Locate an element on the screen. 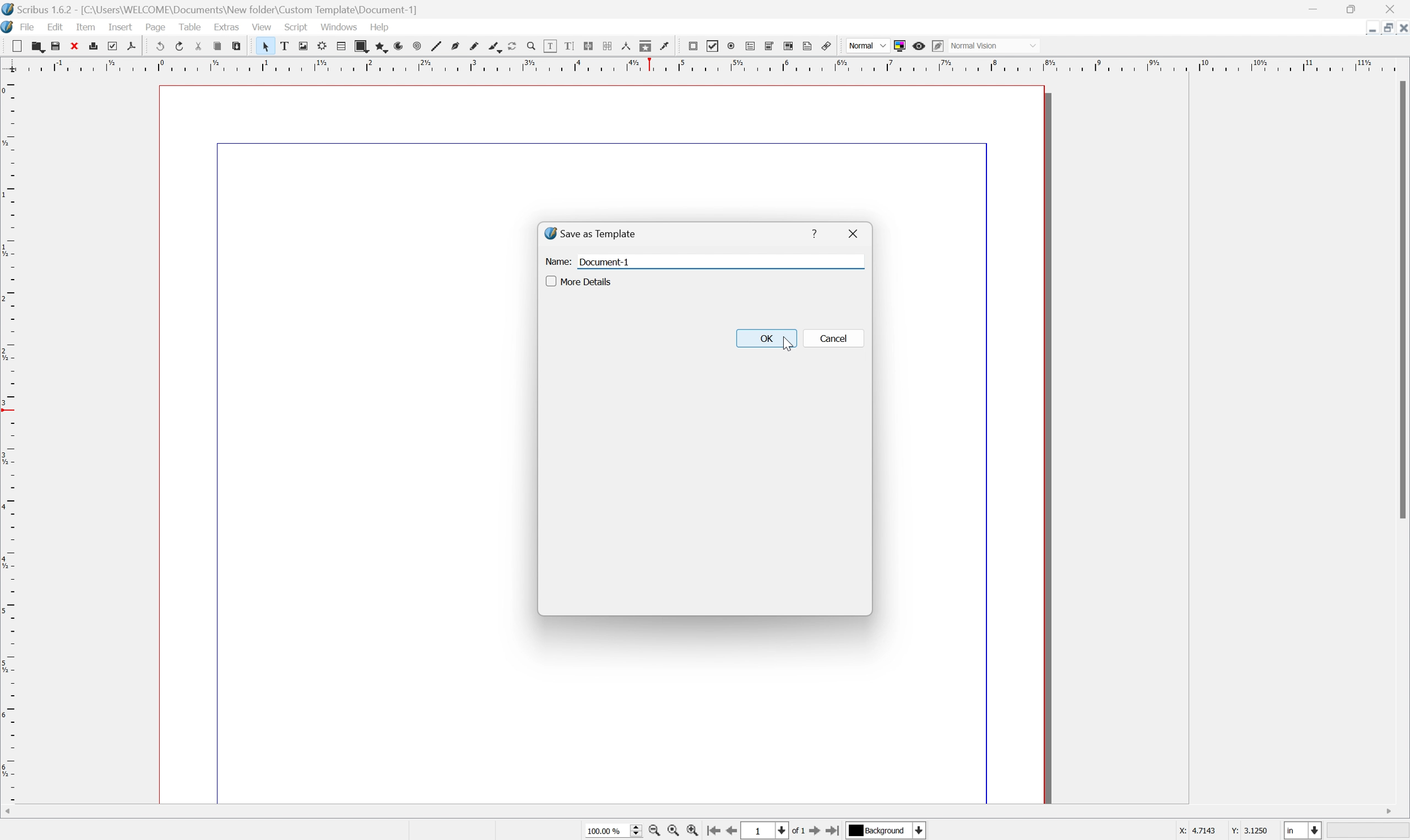 The height and width of the screenshot is (840, 1410). help is located at coordinates (812, 232).